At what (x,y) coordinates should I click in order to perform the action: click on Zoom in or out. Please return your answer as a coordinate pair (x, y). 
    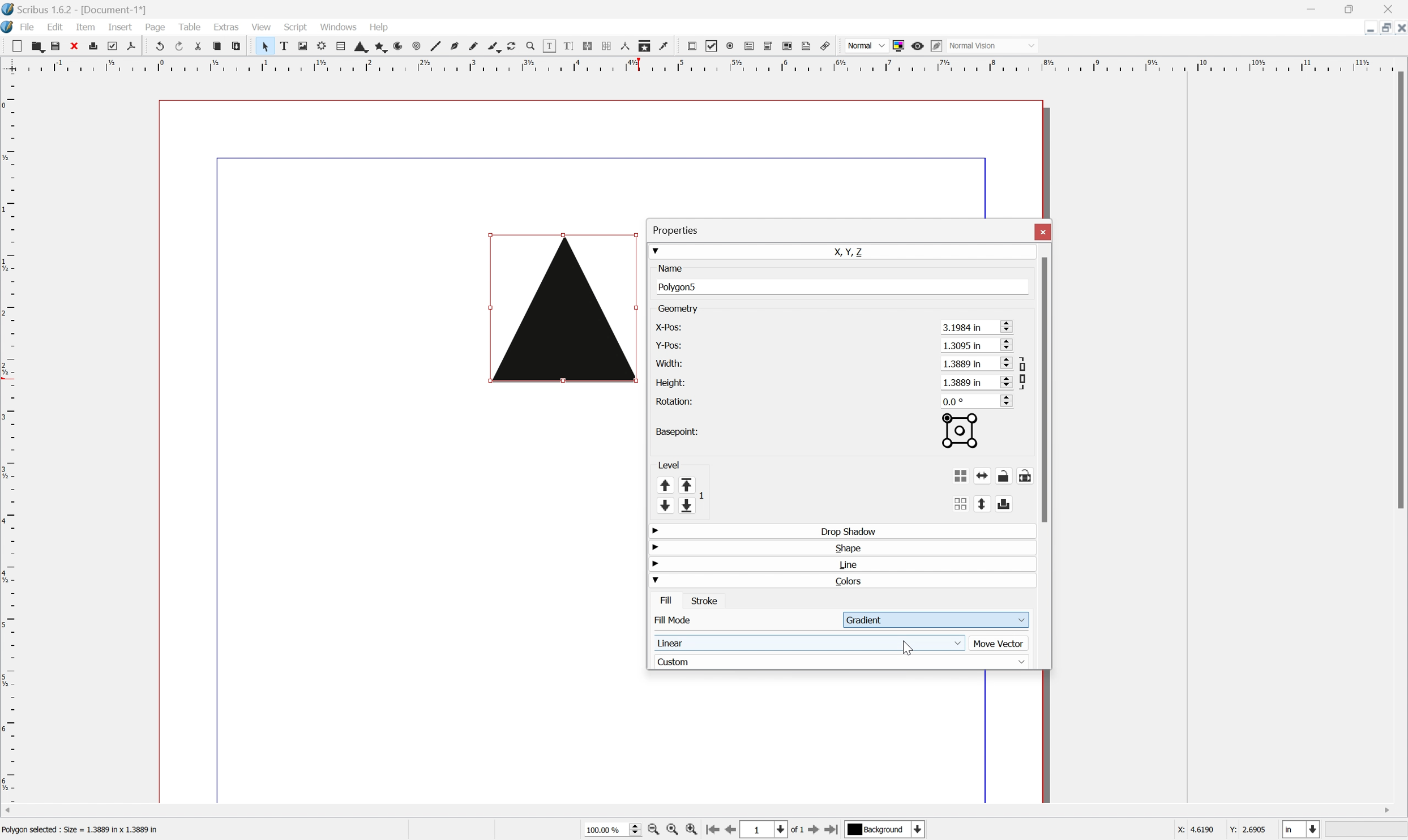
    Looking at the image, I should click on (529, 45).